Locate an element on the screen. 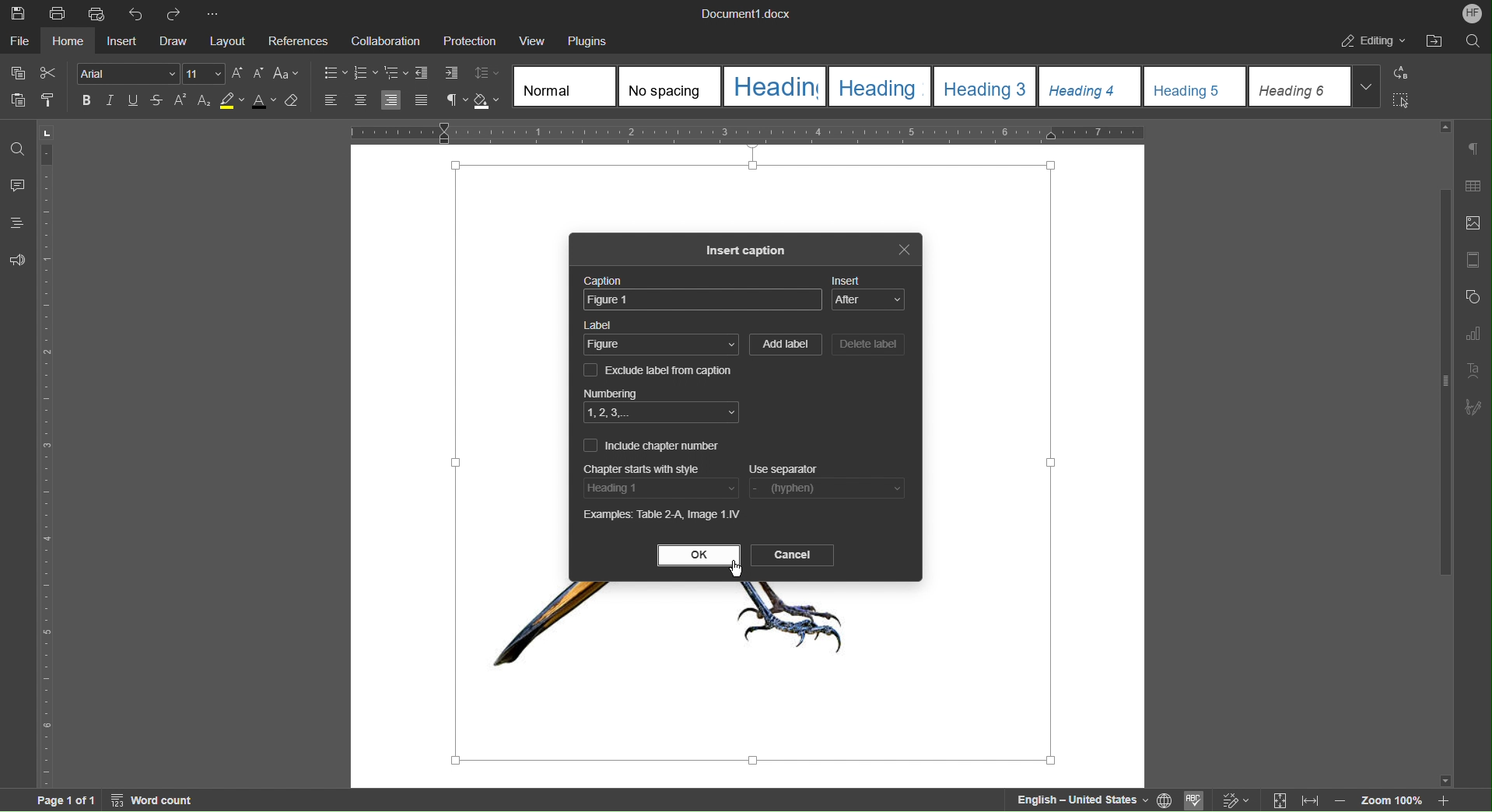 The height and width of the screenshot is (812, 1492). Undo is located at coordinates (134, 12).